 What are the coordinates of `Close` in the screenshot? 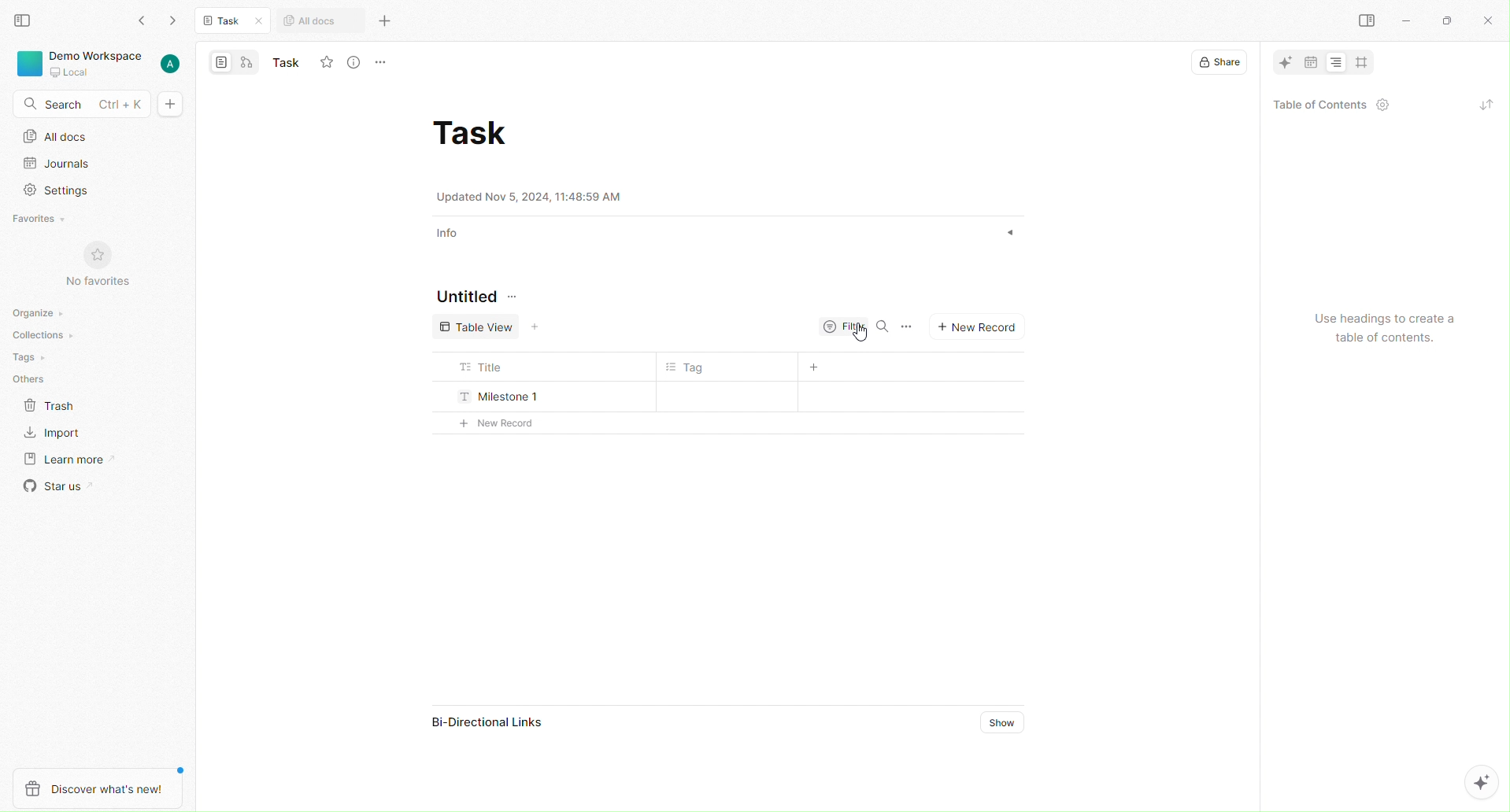 It's located at (1487, 19).